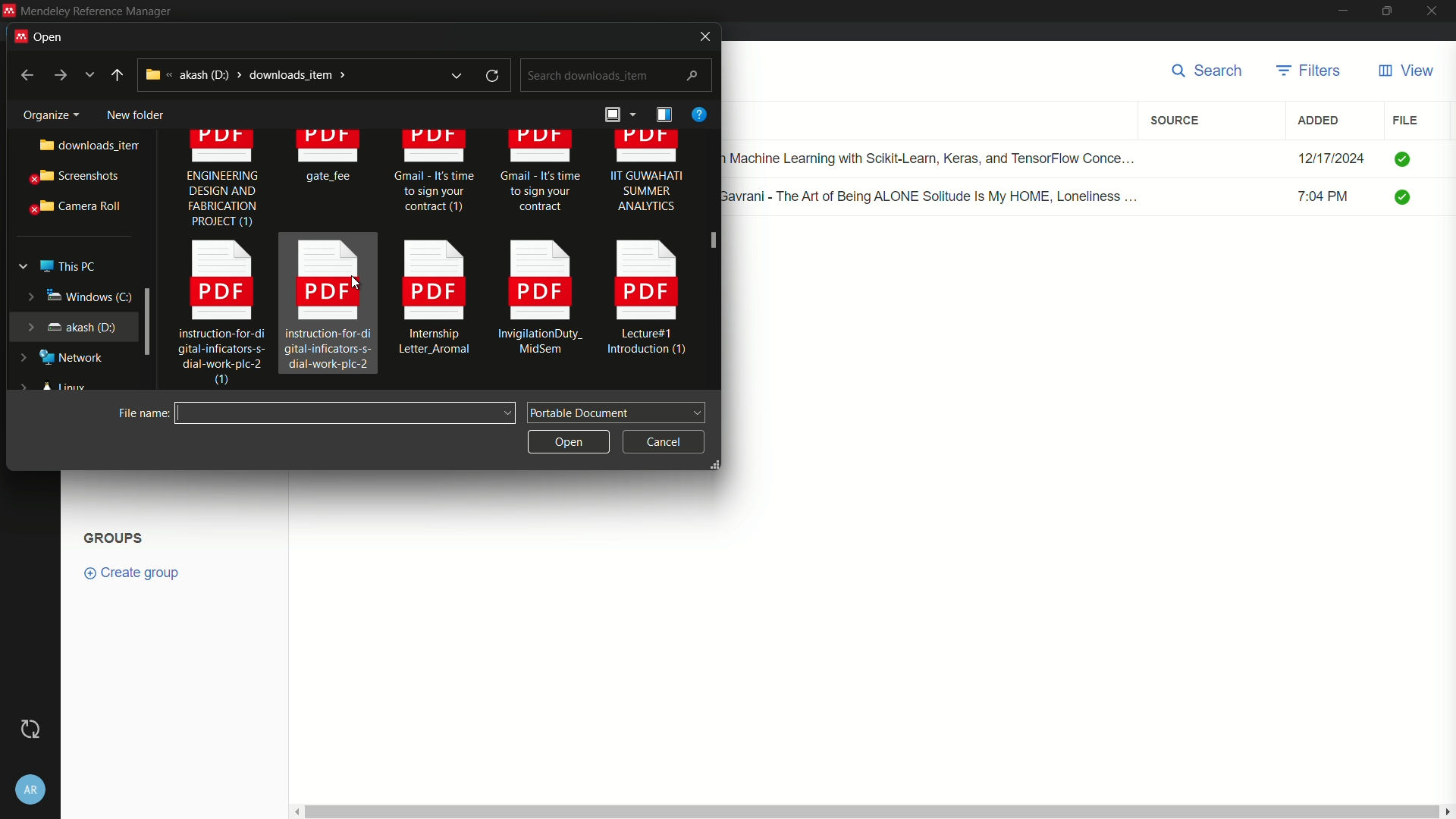  Describe the element at coordinates (1405, 120) in the screenshot. I see `file` at that location.